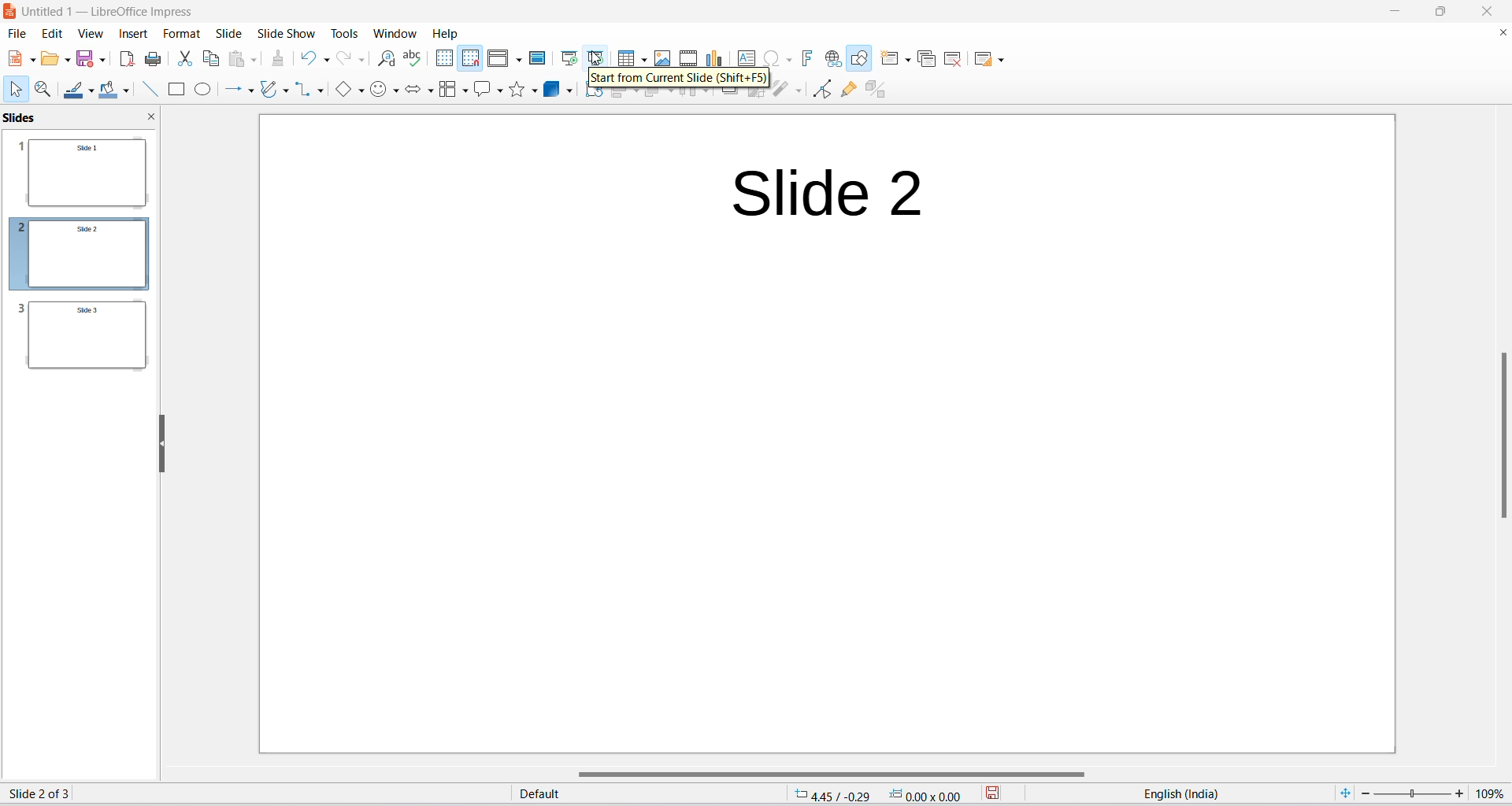 The width and height of the screenshot is (1512, 806). Describe the element at coordinates (665, 55) in the screenshot. I see `insert images` at that location.